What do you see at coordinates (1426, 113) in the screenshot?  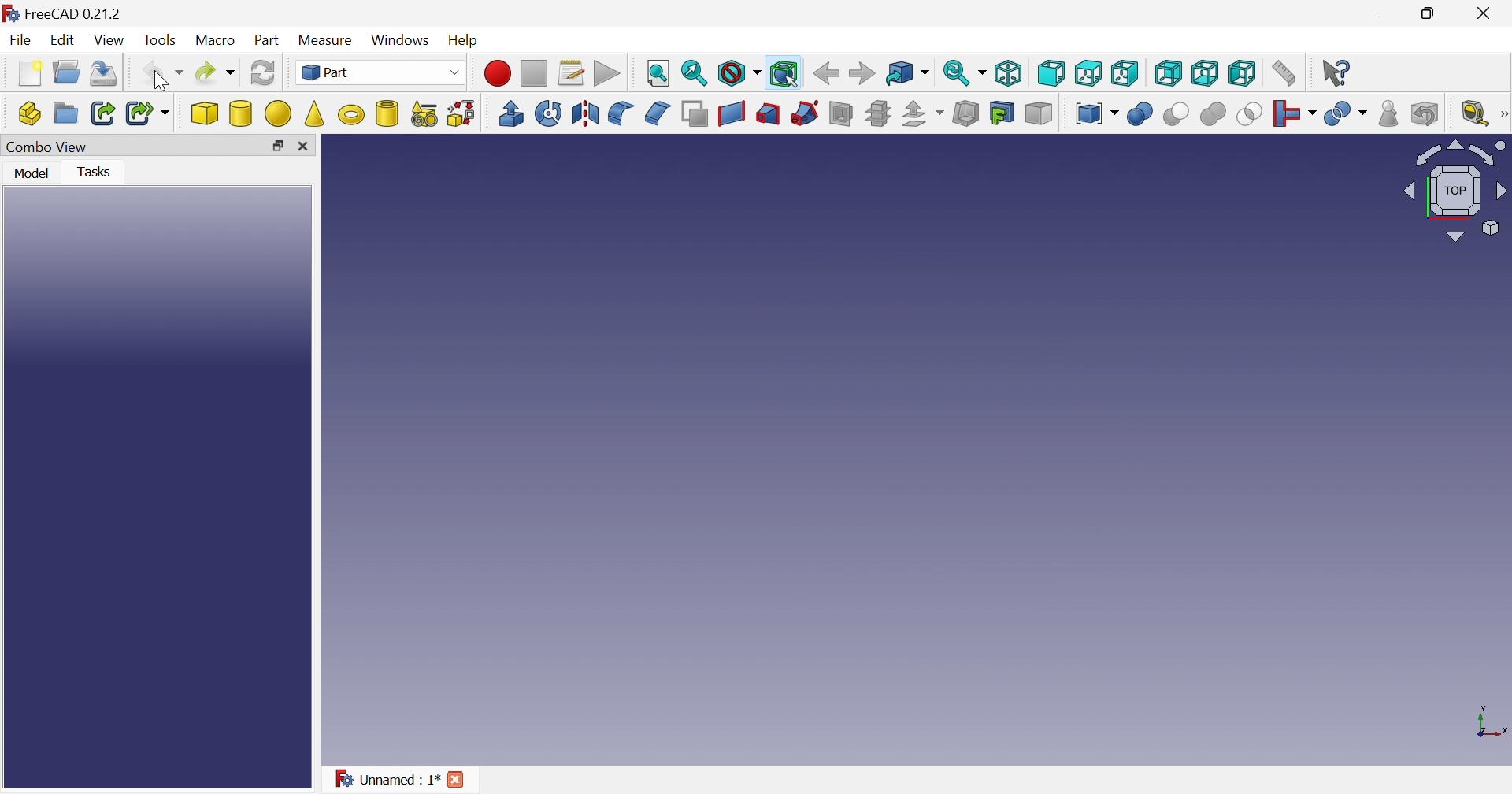 I see `Defeaturing` at bounding box center [1426, 113].